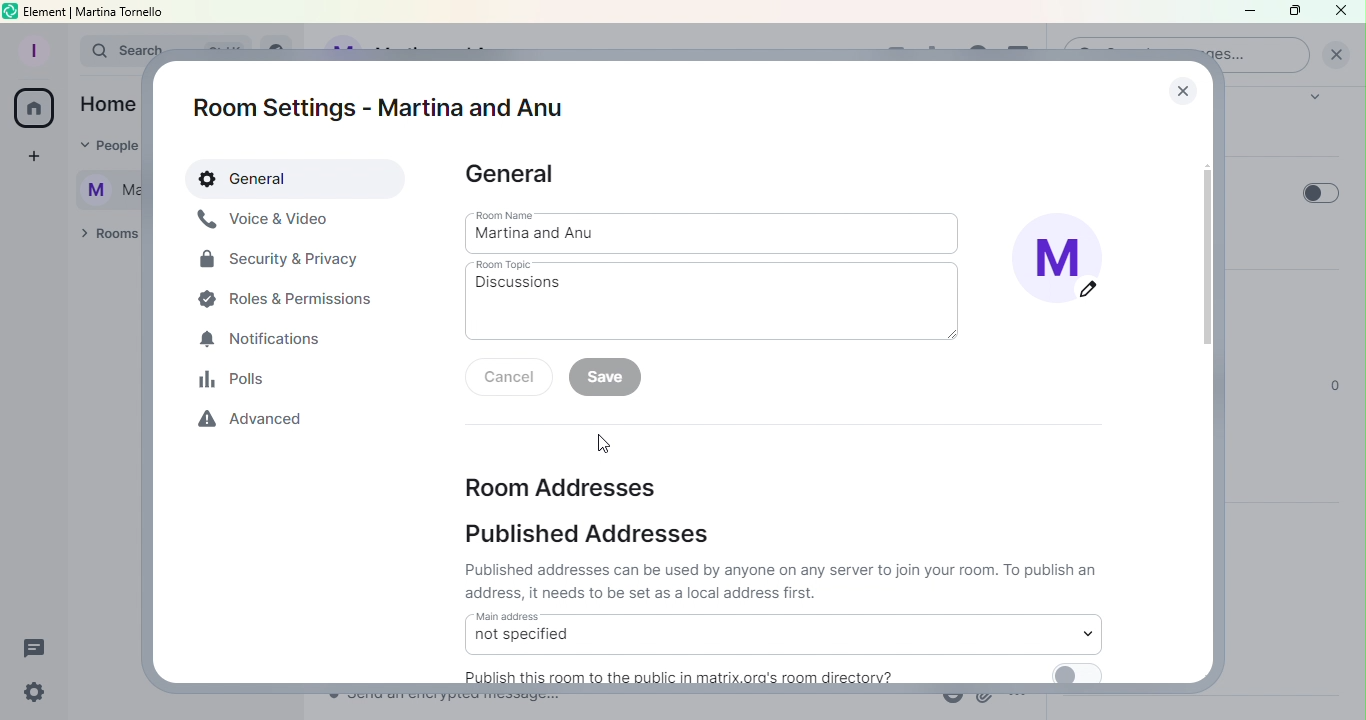 Image resolution: width=1366 pixels, height=720 pixels. Describe the element at coordinates (34, 111) in the screenshot. I see `Home` at that location.